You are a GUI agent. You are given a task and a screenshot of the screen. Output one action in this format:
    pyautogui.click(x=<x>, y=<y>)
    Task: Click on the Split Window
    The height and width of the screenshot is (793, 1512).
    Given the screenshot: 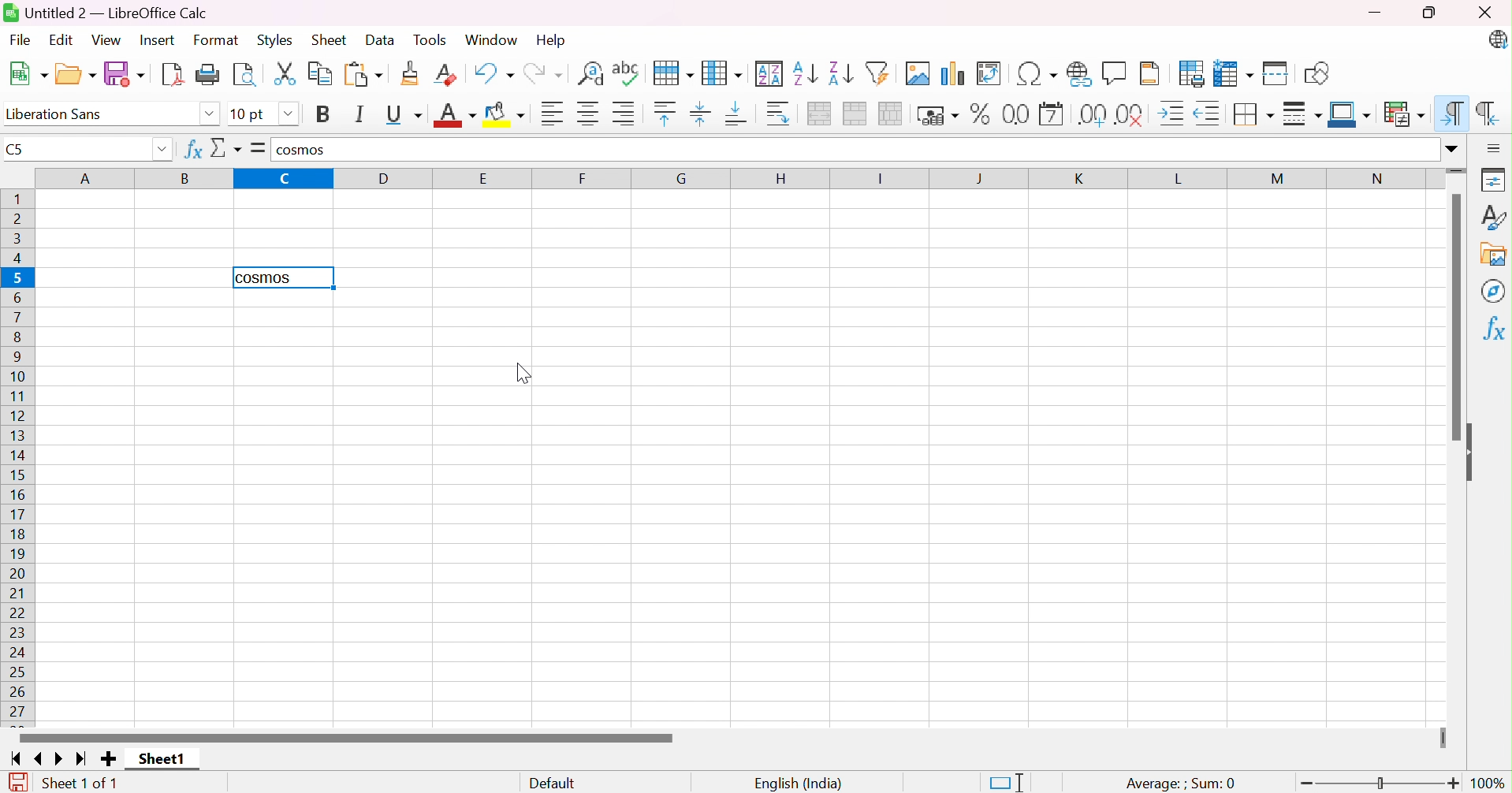 What is the action you would take?
    pyautogui.click(x=1278, y=72)
    